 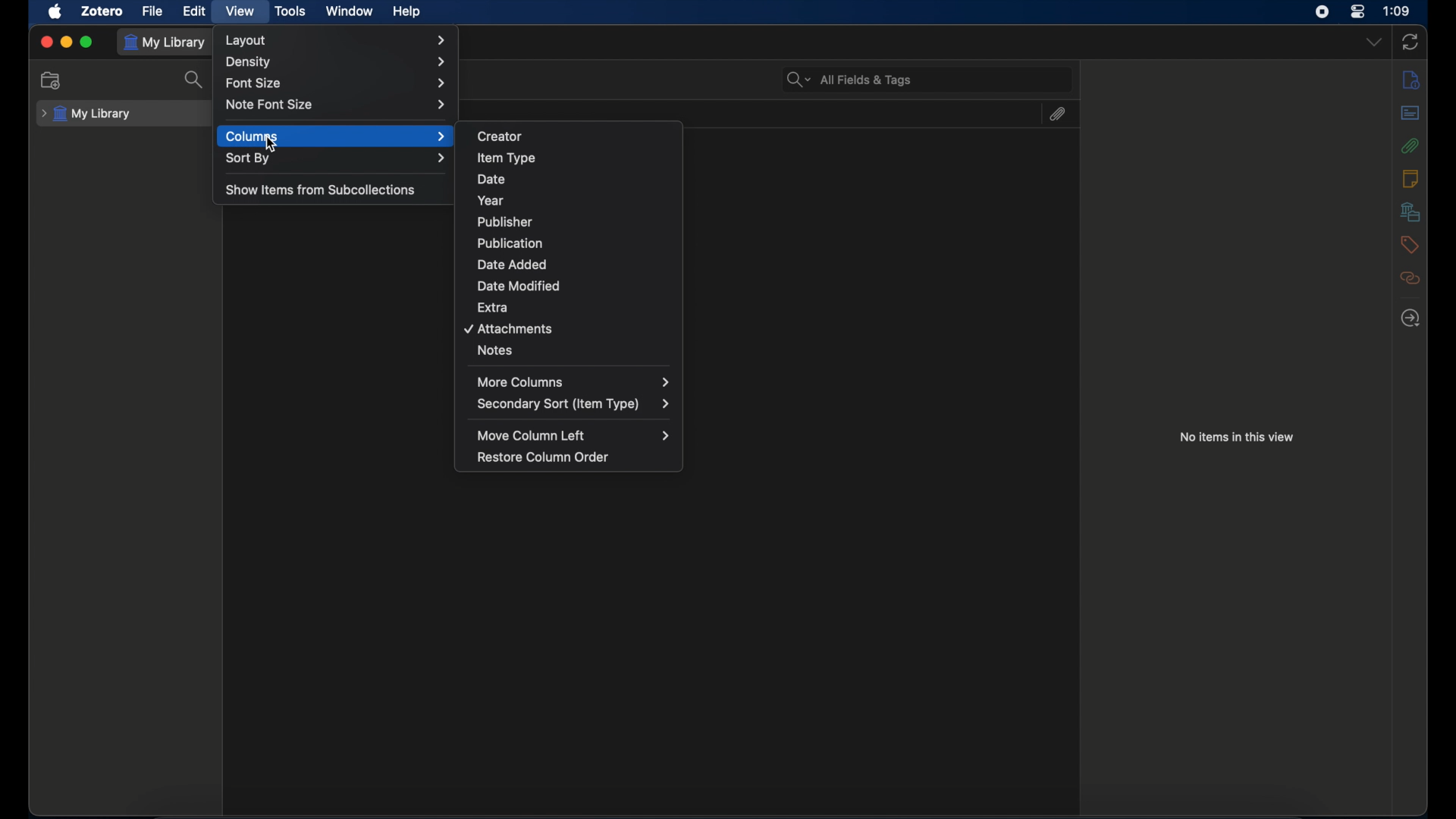 I want to click on help, so click(x=406, y=12).